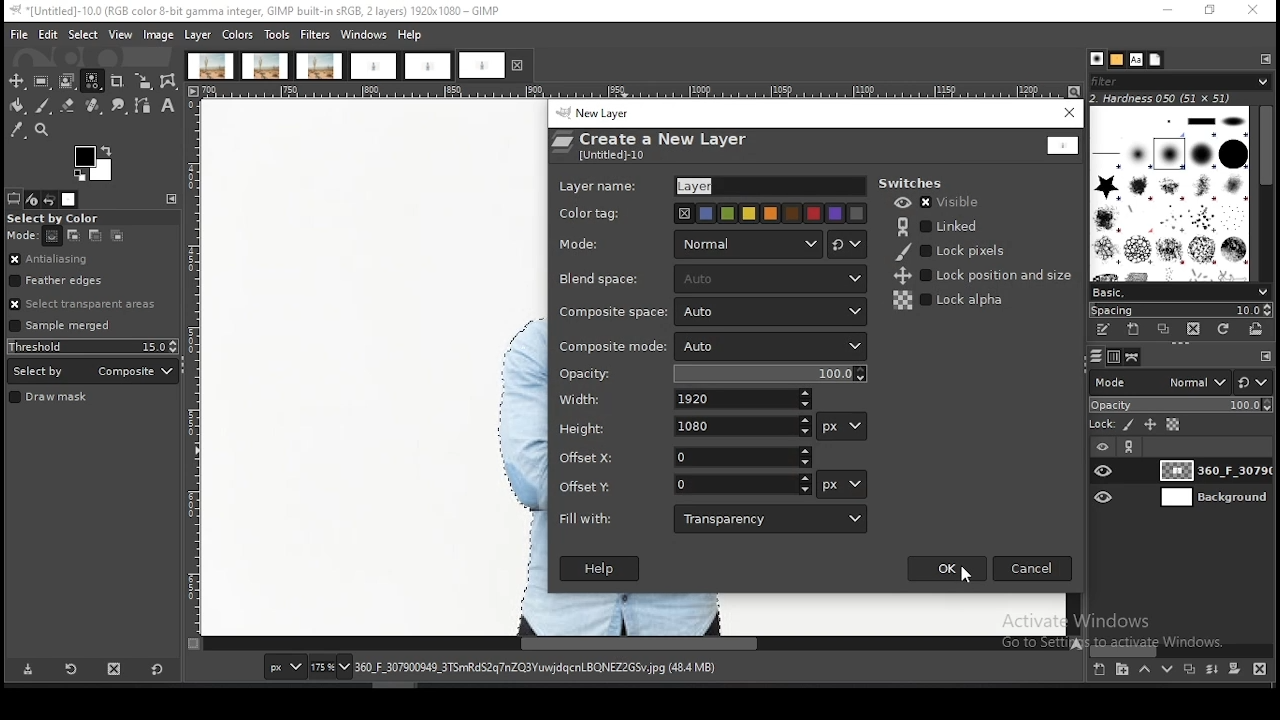 The width and height of the screenshot is (1280, 720). Describe the element at coordinates (590, 374) in the screenshot. I see `opacity` at that location.